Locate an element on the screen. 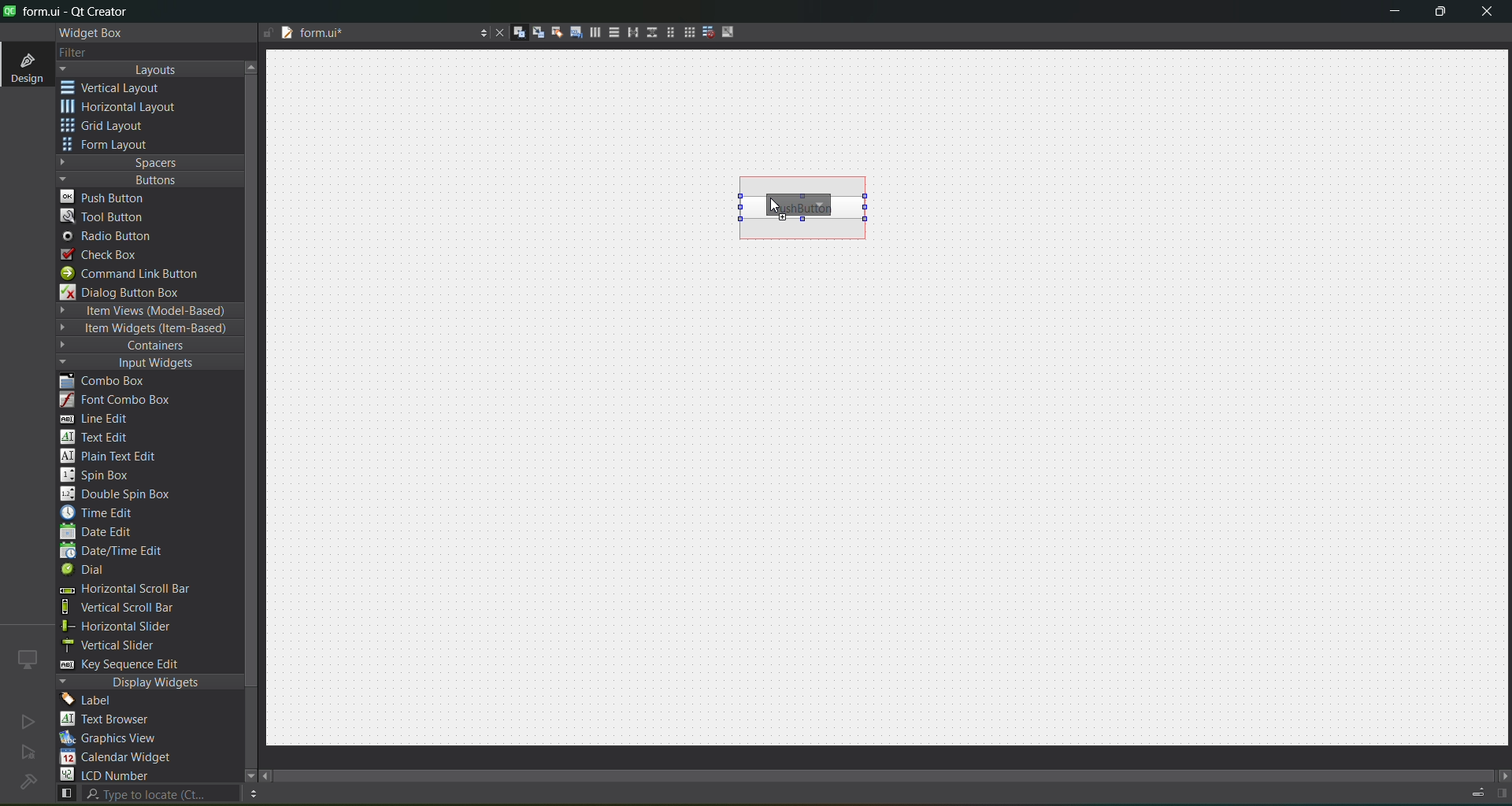 Image resolution: width=1512 pixels, height=806 pixels. item widgets is located at coordinates (146, 329).